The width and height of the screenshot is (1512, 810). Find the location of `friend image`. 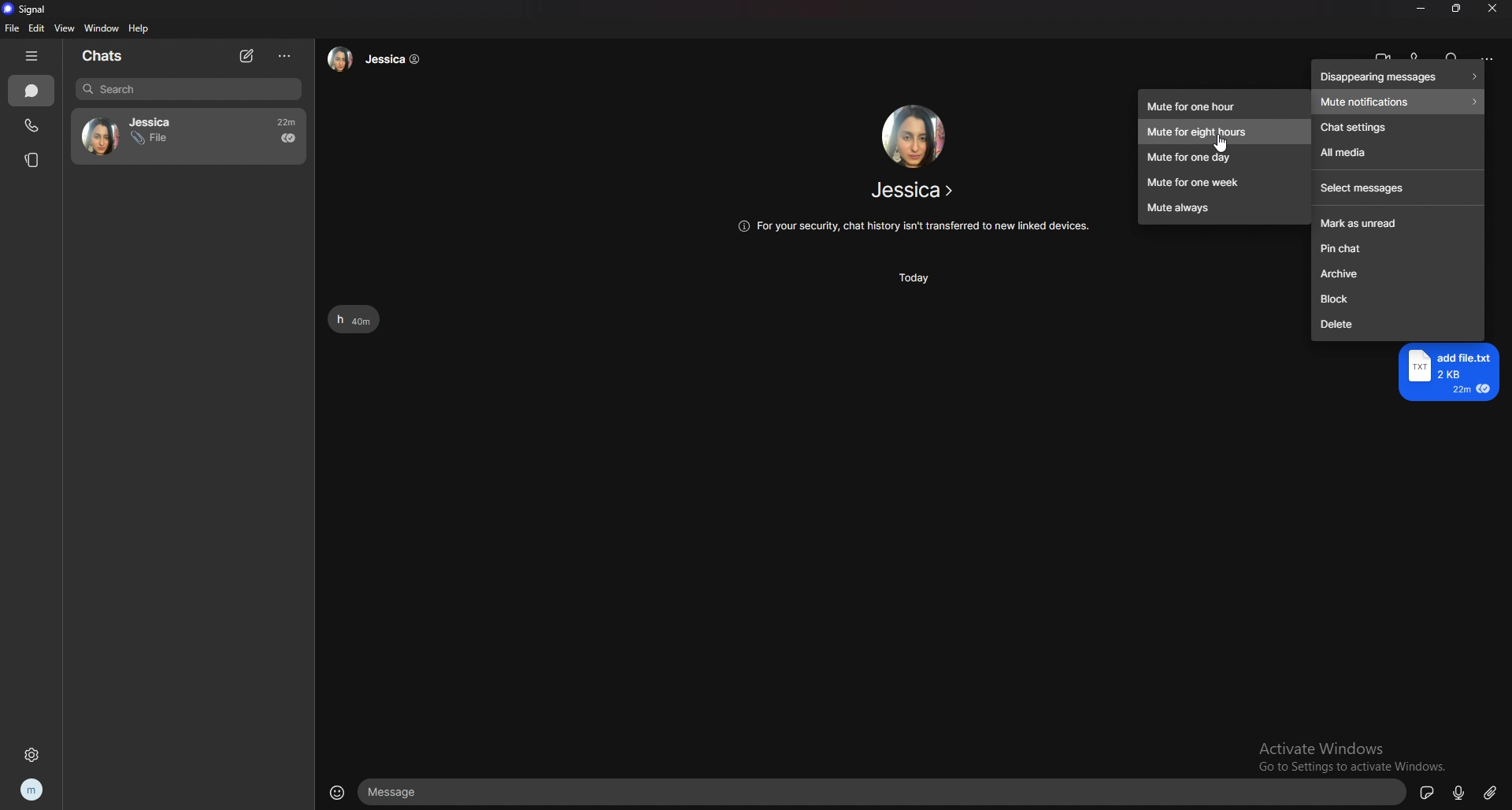

friend image is located at coordinates (912, 135).